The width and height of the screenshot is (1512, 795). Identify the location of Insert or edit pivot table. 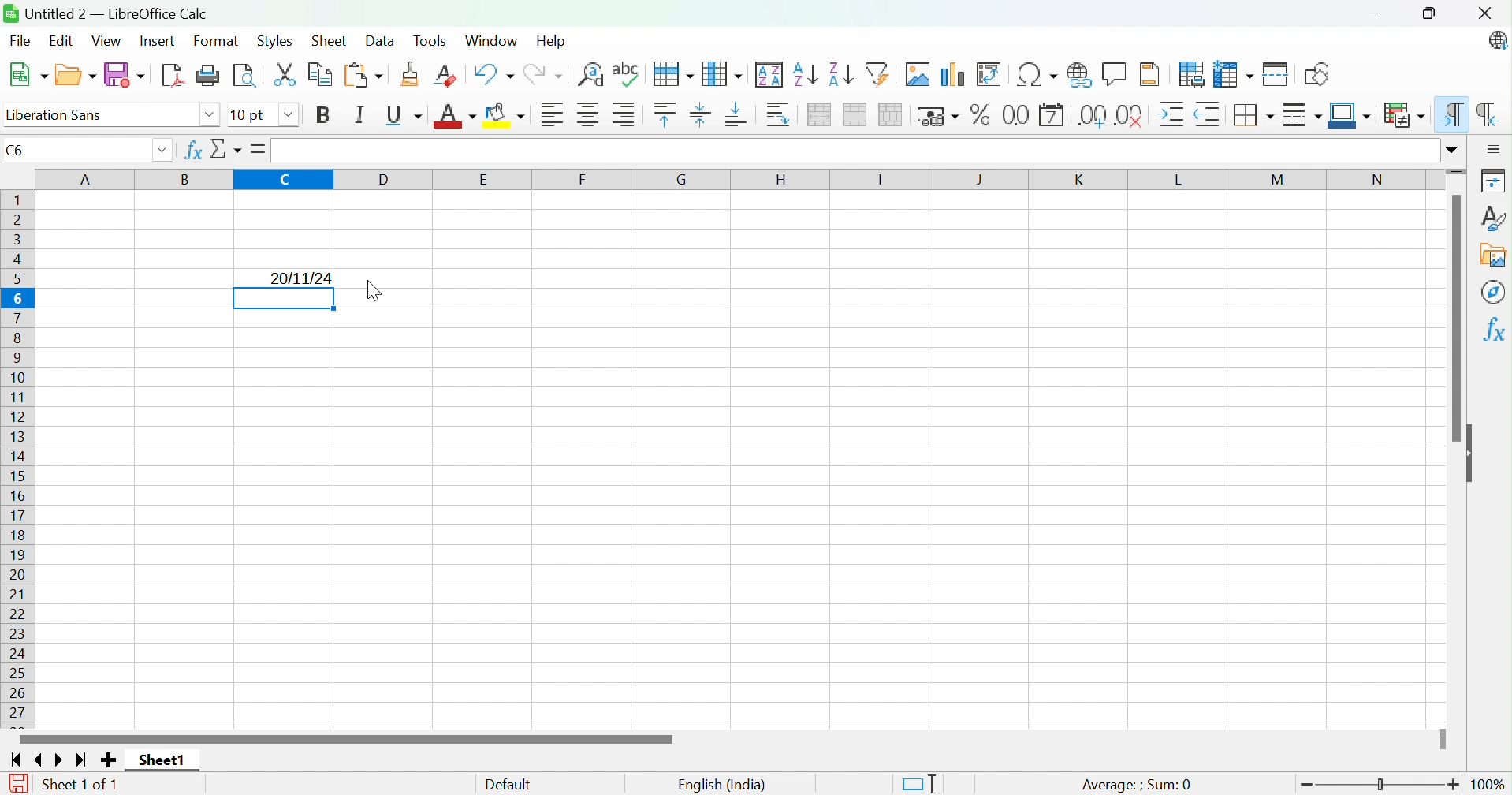
(989, 74).